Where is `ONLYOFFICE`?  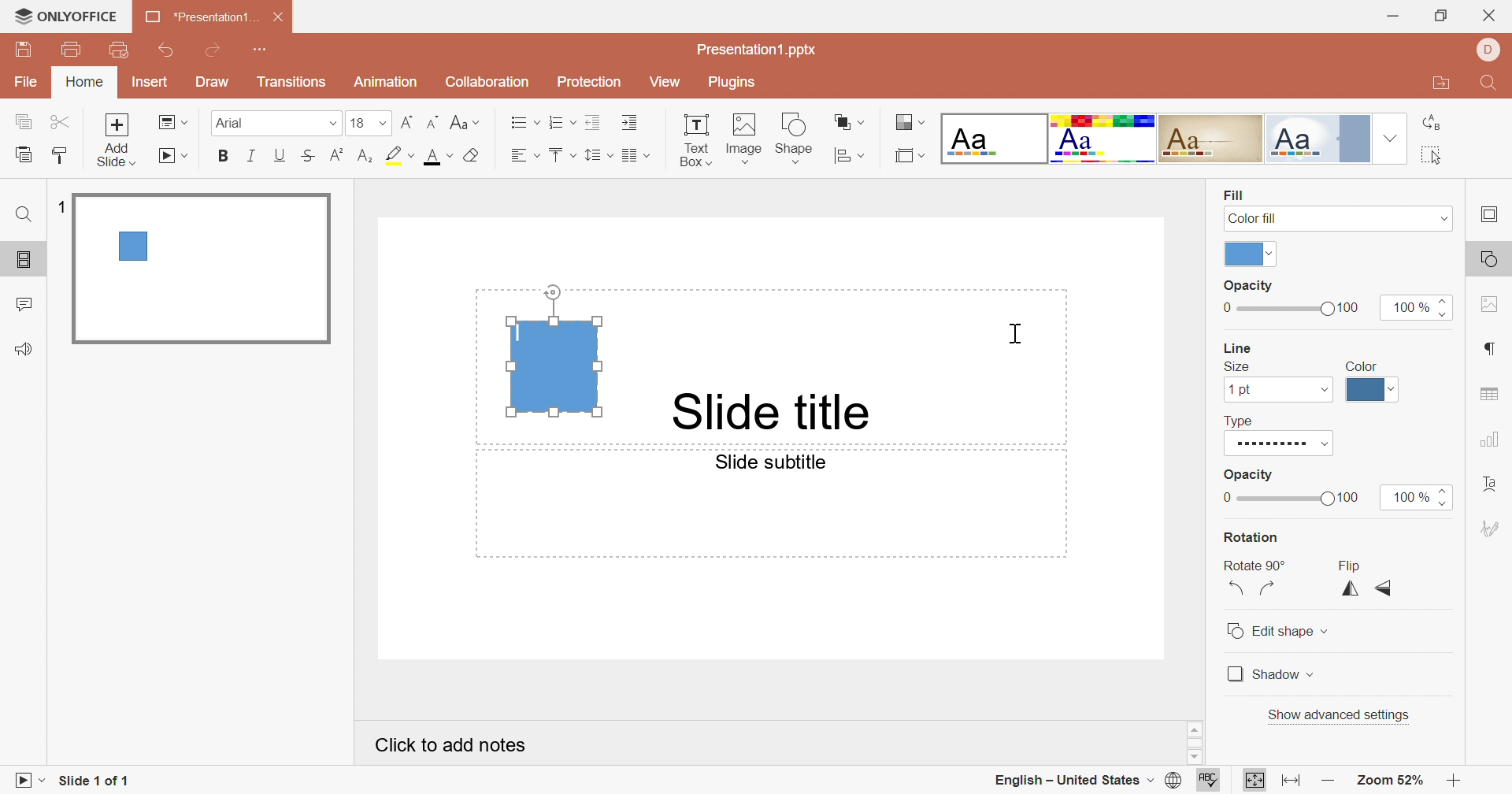 ONLYOFFICE is located at coordinates (67, 15).